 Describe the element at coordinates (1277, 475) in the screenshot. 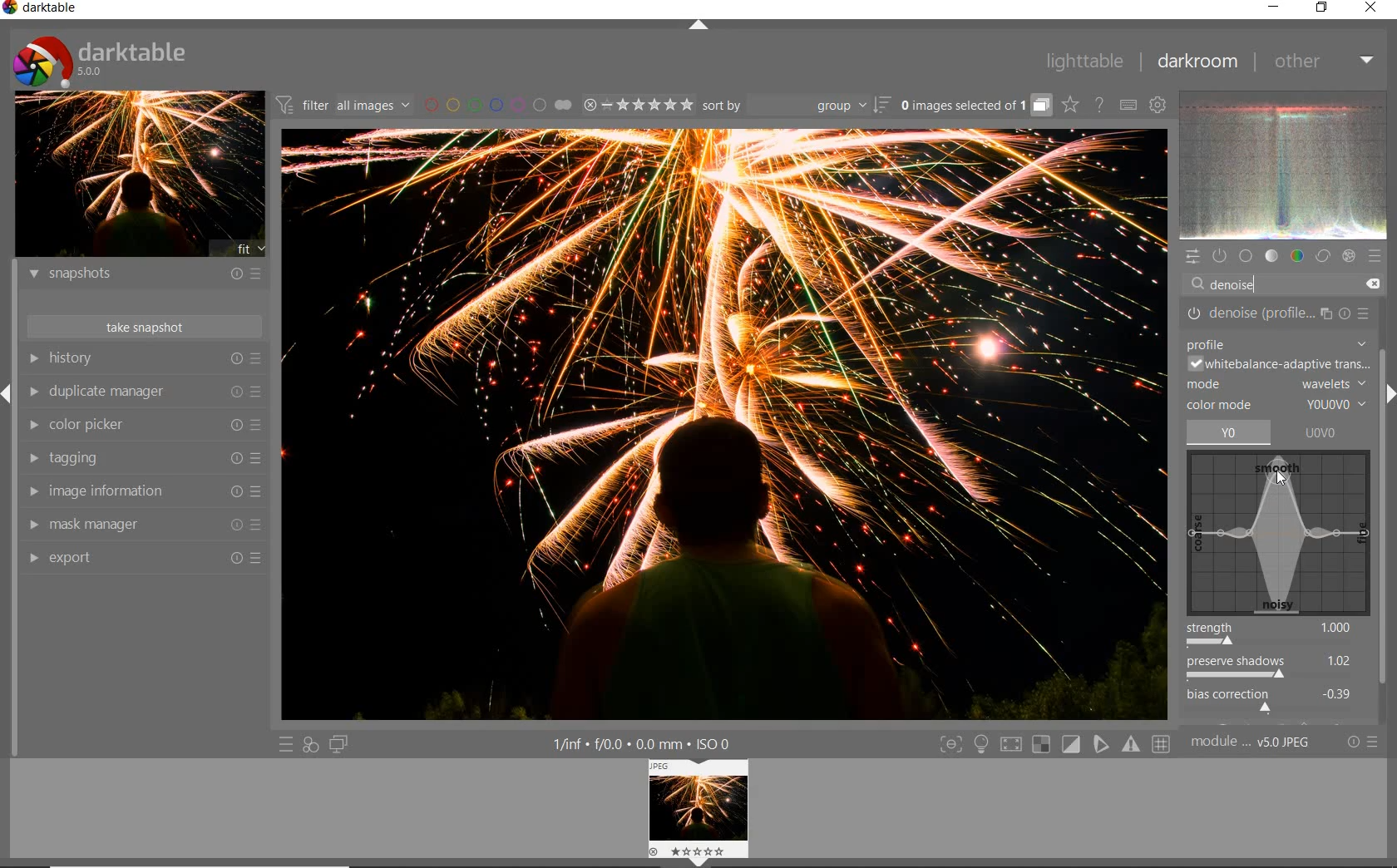

I see `cursor position` at that location.